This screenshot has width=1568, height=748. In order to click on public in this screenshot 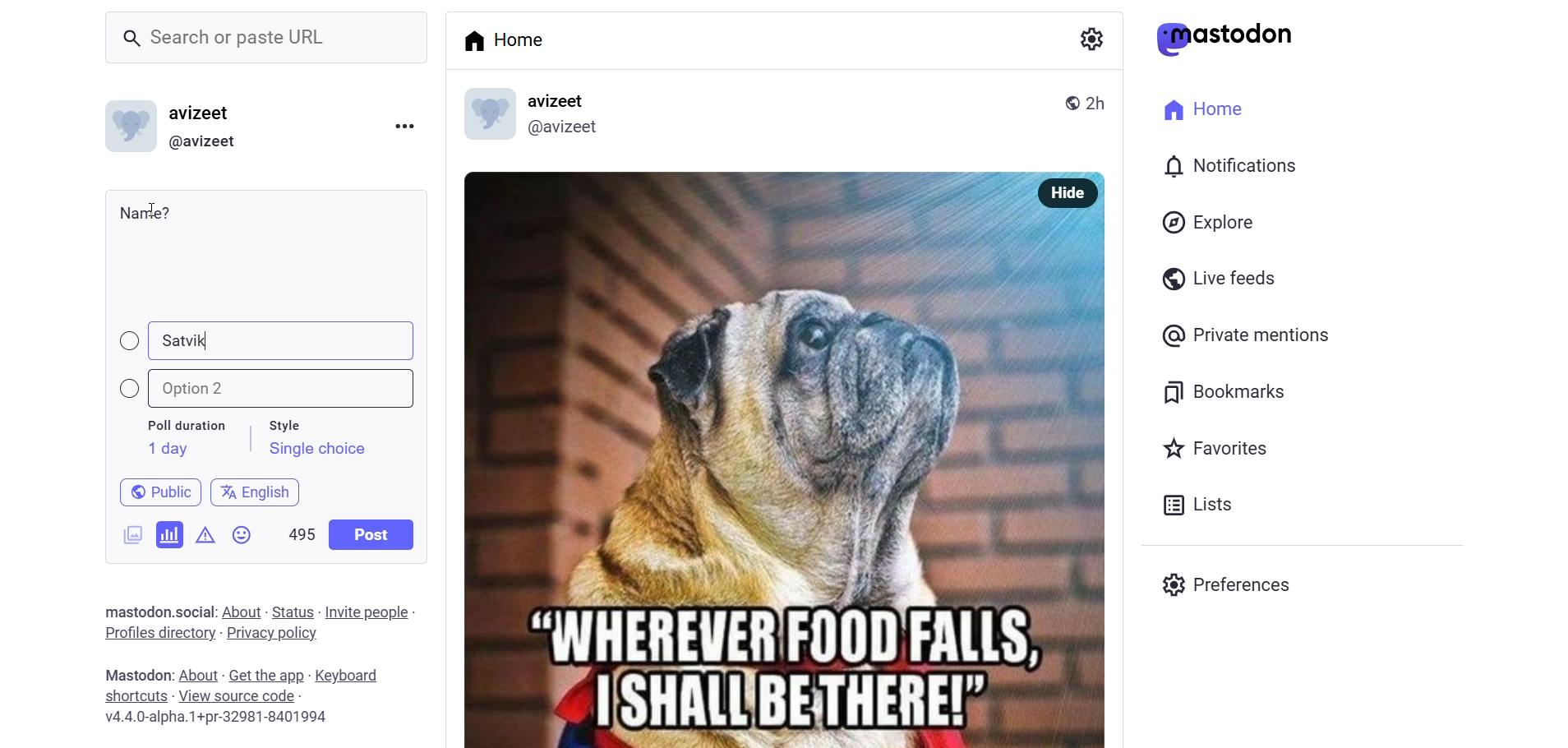, I will do `click(153, 491)`.